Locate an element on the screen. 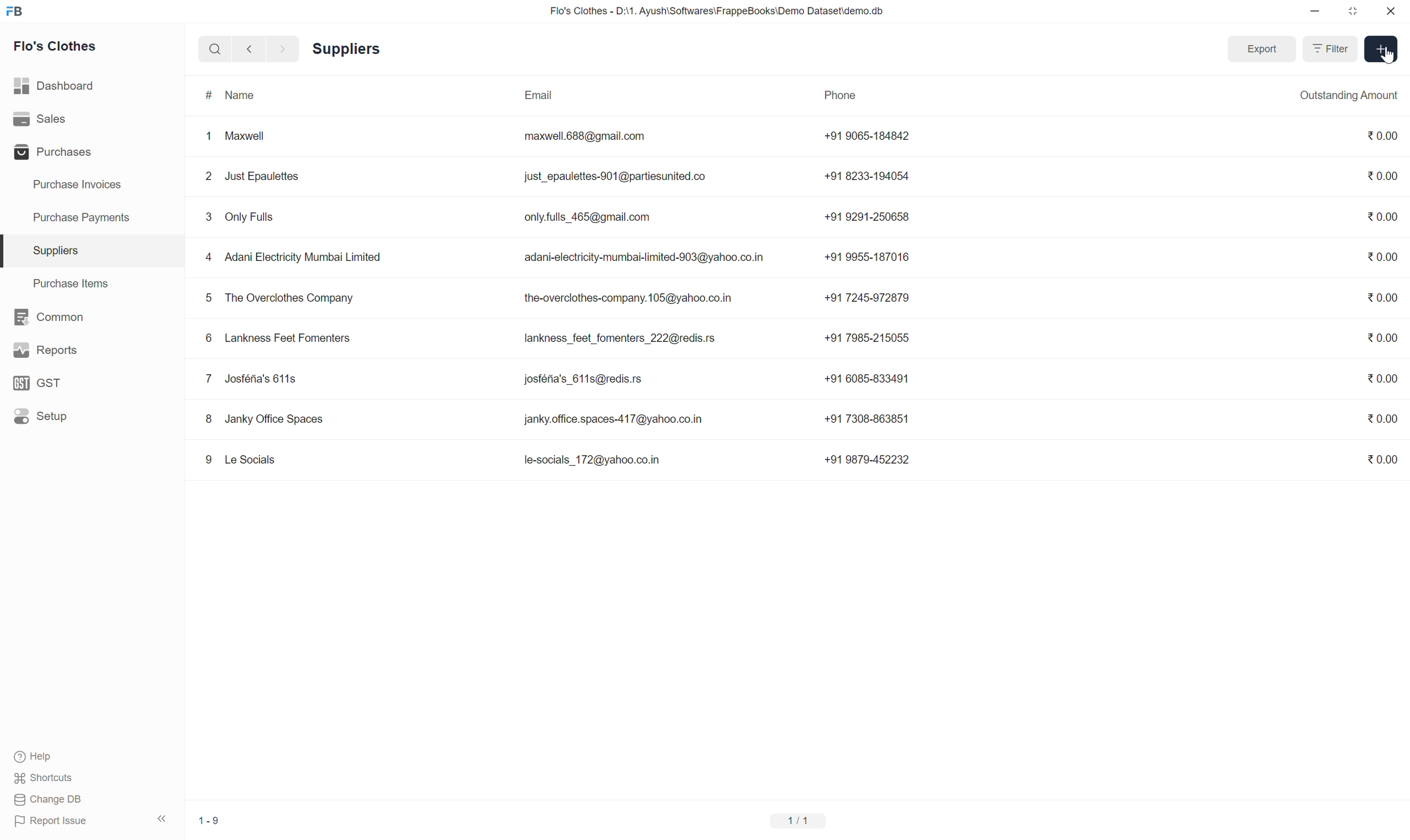 The height and width of the screenshot is (840, 1410). 0.00 is located at coordinates (1383, 418).